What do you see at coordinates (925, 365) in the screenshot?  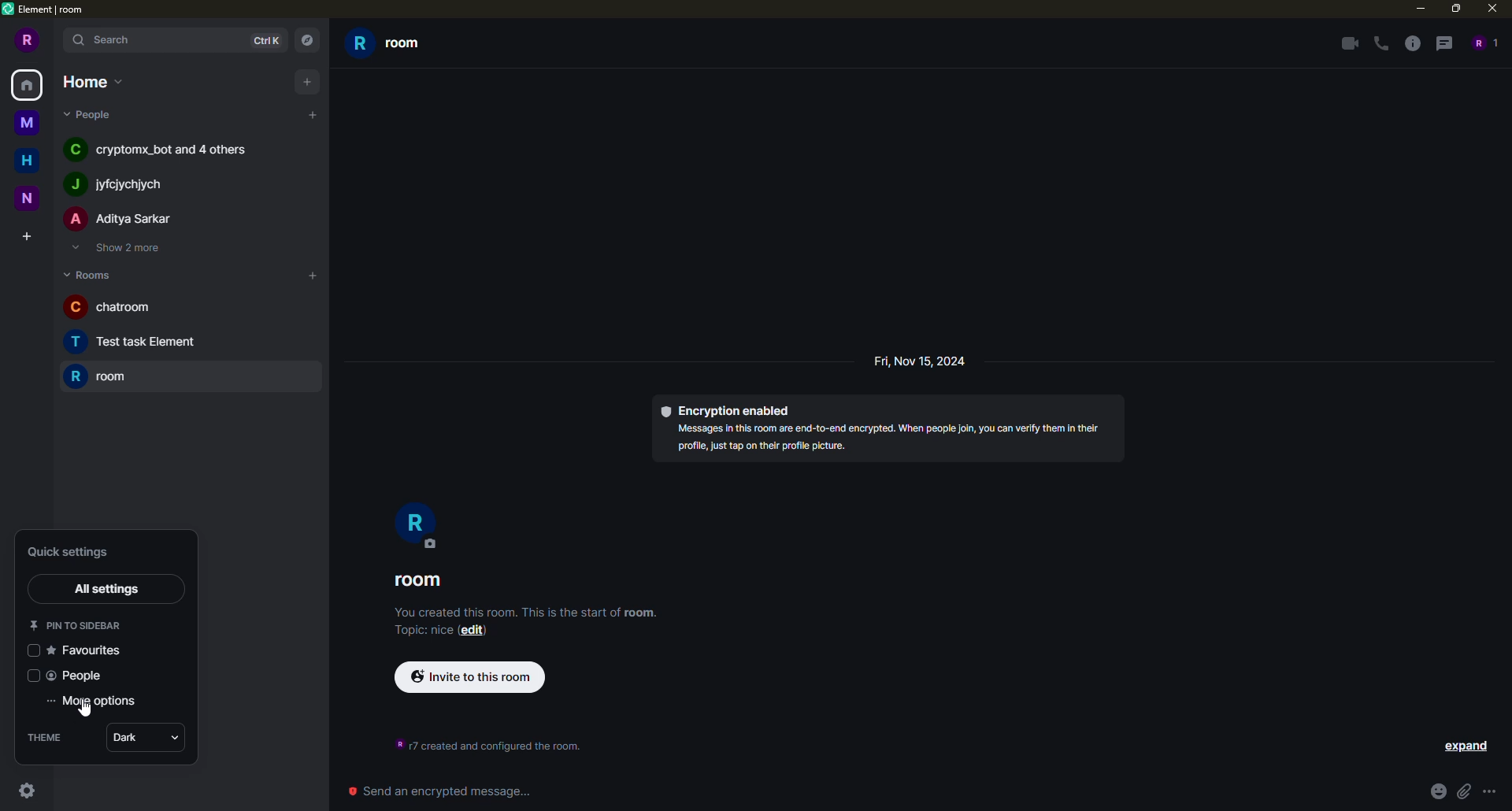 I see `Fri, Nov 15, 2024` at bounding box center [925, 365].